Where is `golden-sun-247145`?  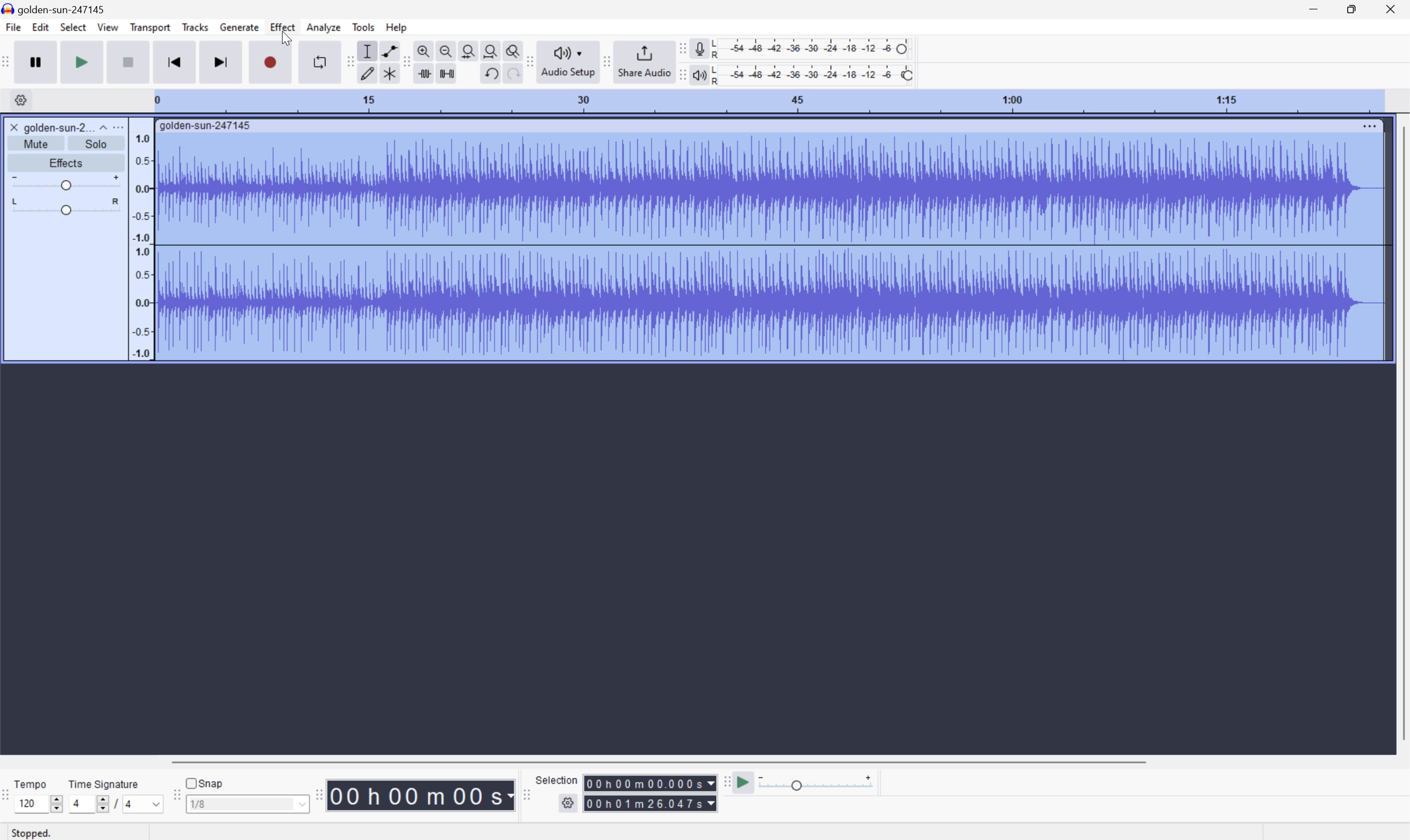 golden-sun-247145 is located at coordinates (206, 127).